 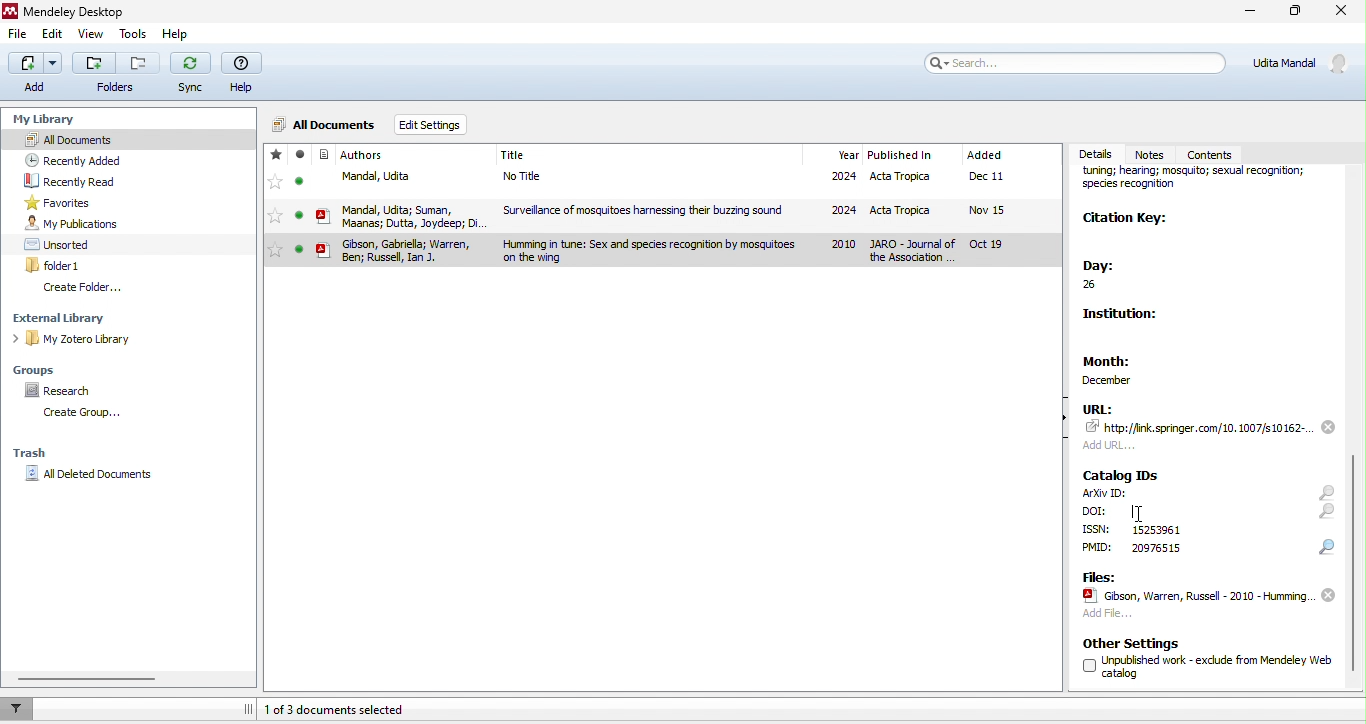 I want to click on add, so click(x=1114, y=444).